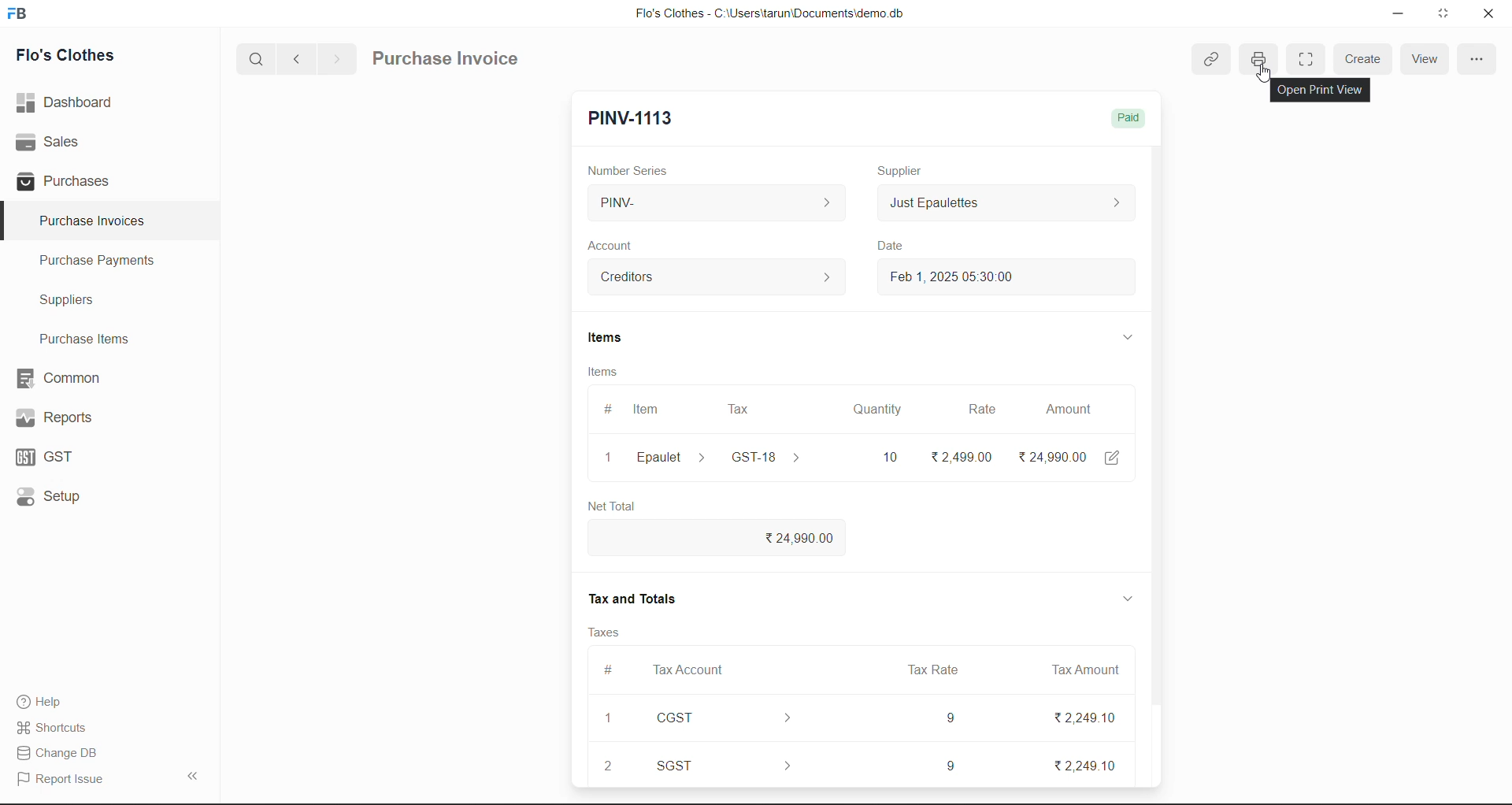  Describe the element at coordinates (880, 410) in the screenshot. I see `quantity` at that location.